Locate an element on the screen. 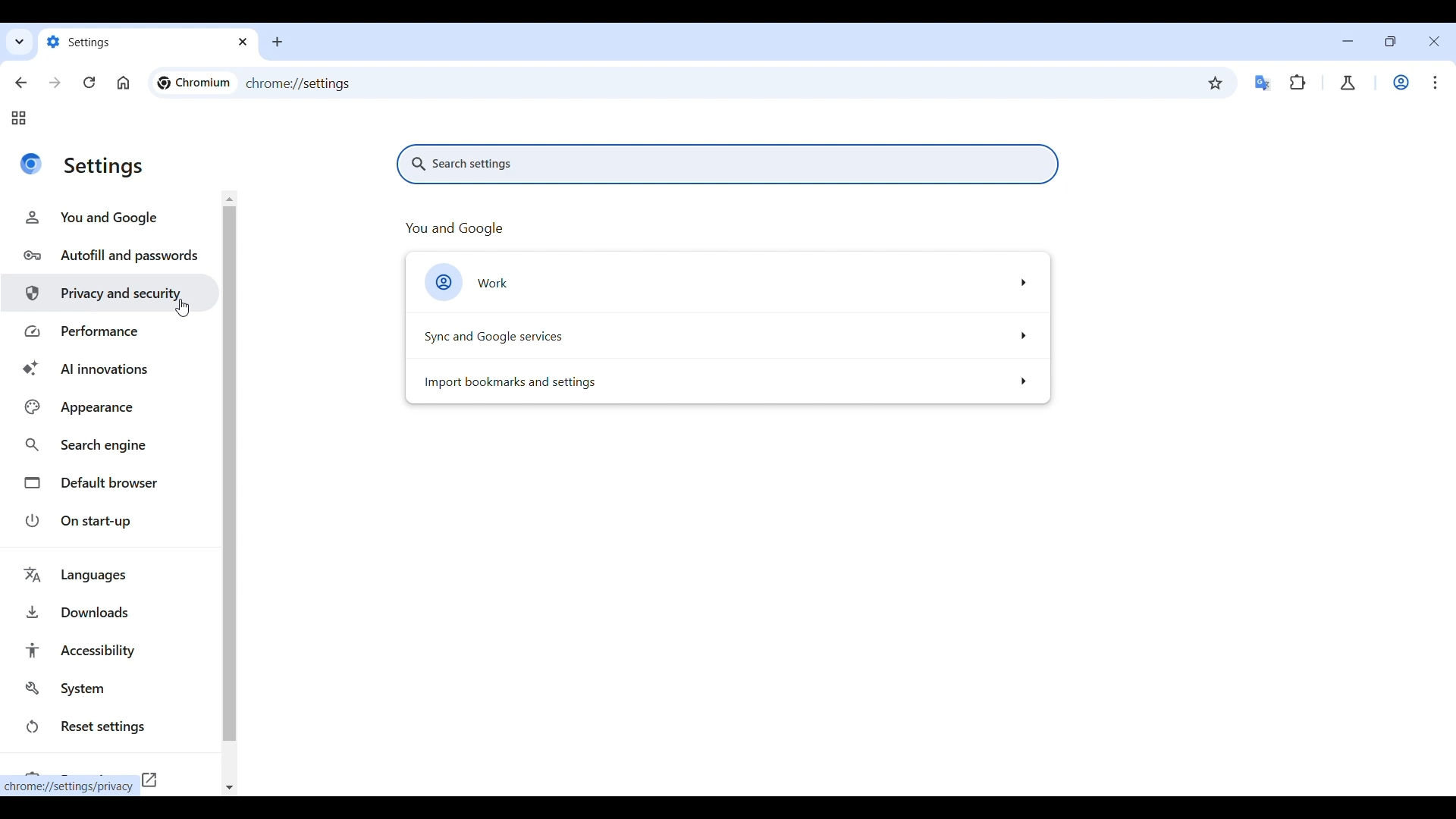 The height and width of the screenshot is (819, 1456). You and Google is located at coordinates (111, 218).